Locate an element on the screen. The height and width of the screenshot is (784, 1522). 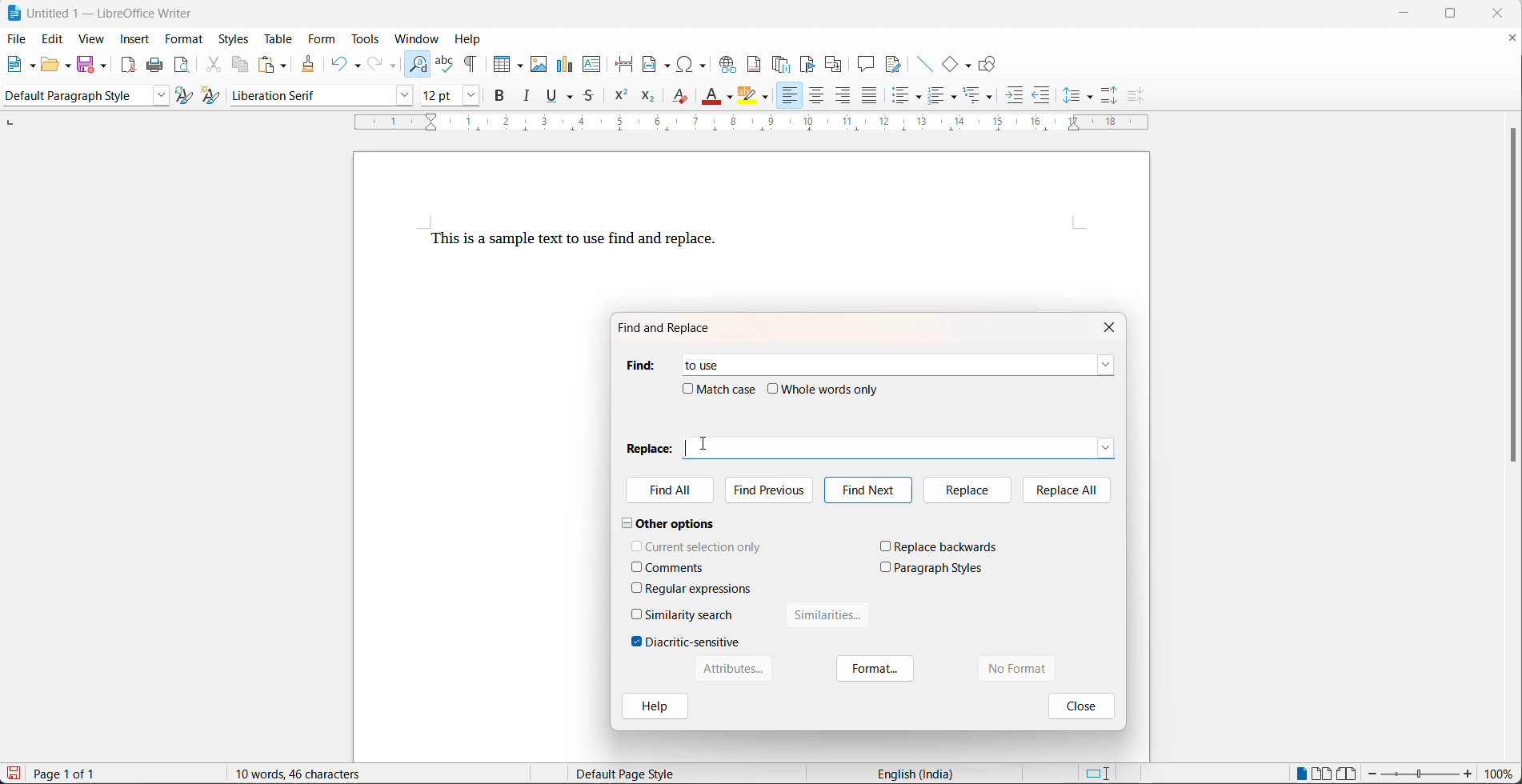
undo options is located at coordinates (356, 64).